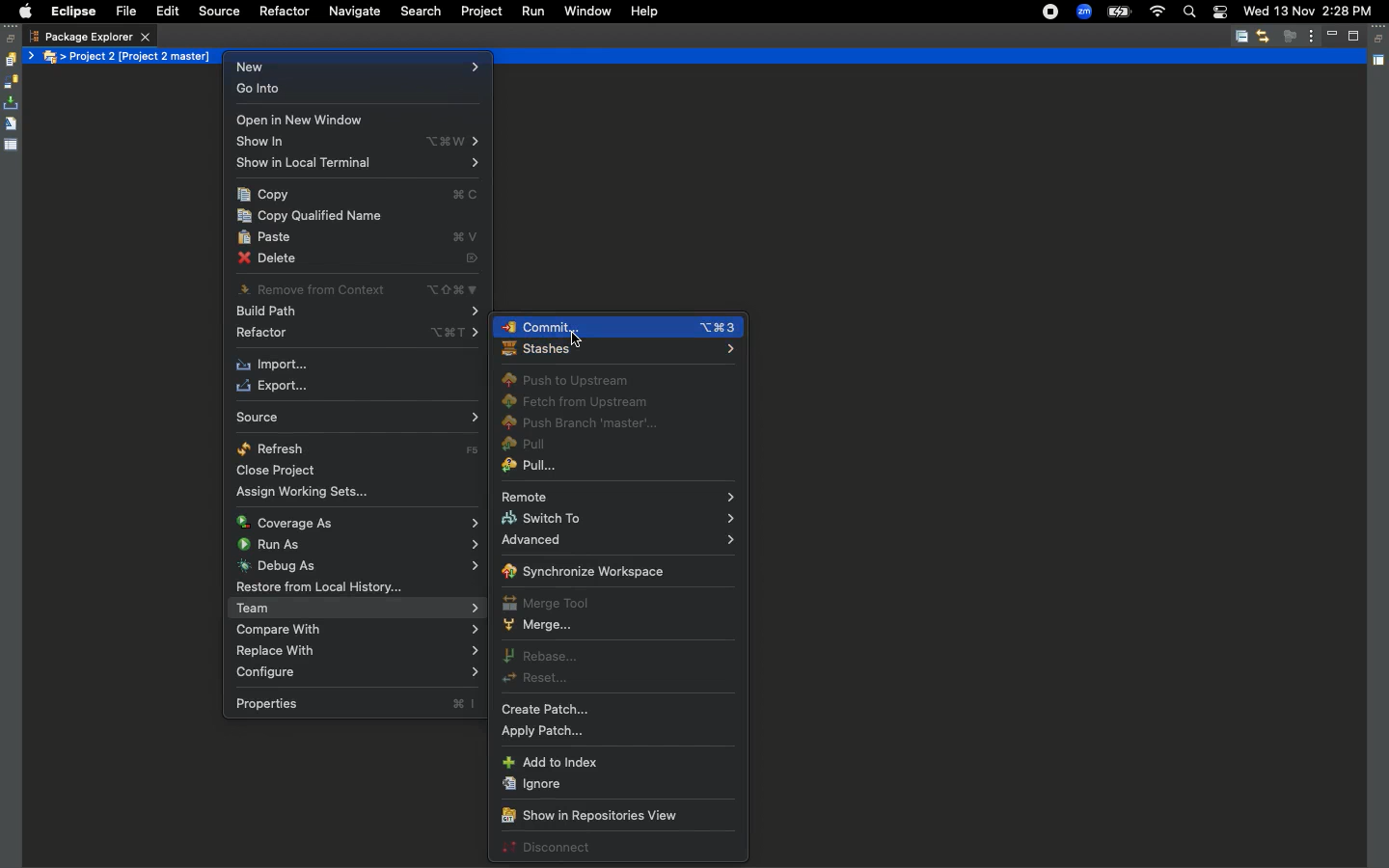 This screenshot has width=1389, height=868. Describe the element at coordinates (11, 125) in the screenshot. I see `Git reflog` at that location.